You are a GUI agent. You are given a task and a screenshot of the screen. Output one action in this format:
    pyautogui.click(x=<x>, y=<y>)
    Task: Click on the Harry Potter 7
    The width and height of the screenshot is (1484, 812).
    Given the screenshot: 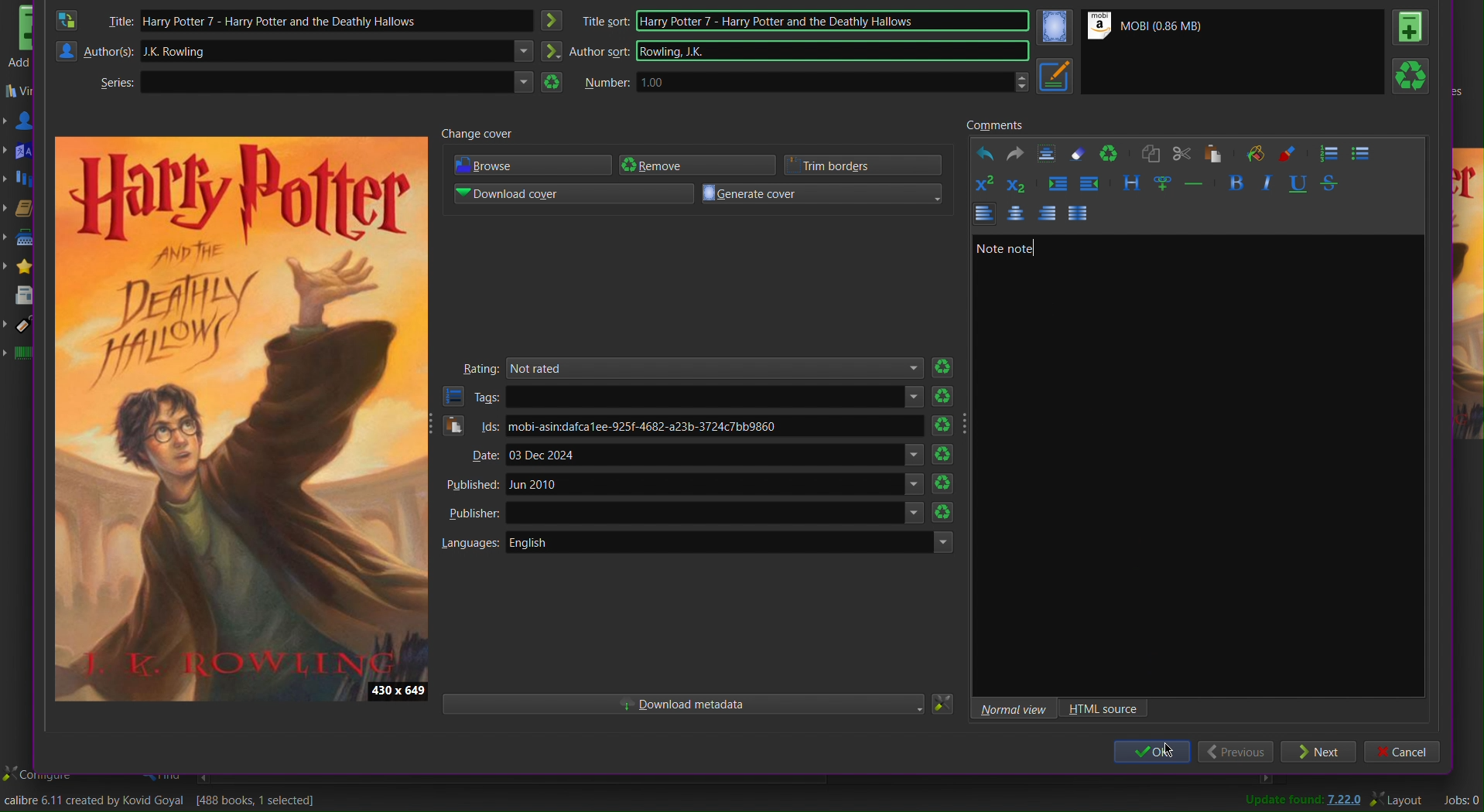 What is the action you would take?
    pyautogui.click(x=832, y=20)
    